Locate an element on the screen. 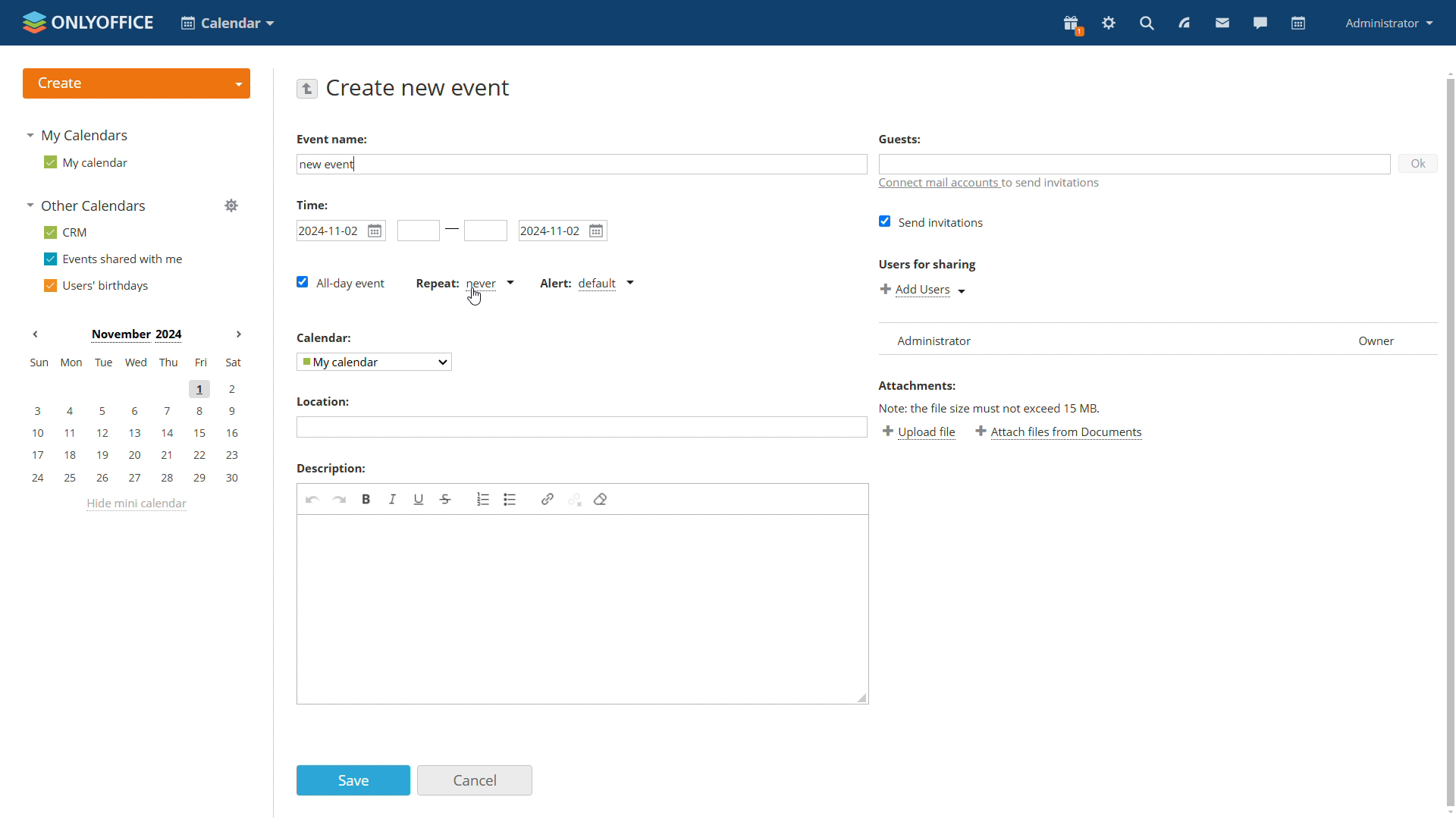  Location is located at coordinates (322, 402).